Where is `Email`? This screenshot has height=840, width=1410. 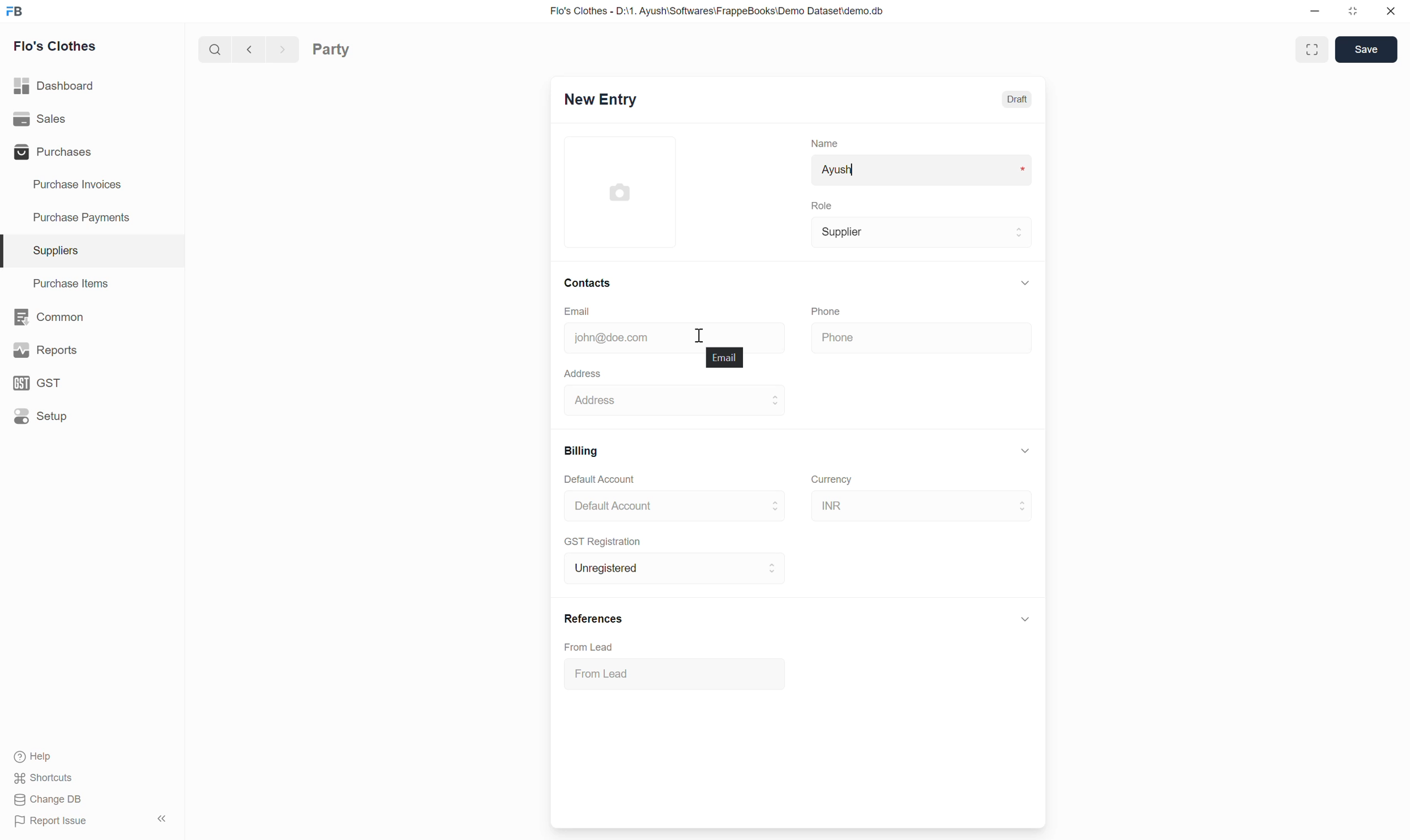
Email is located at coordinates (577, 311).